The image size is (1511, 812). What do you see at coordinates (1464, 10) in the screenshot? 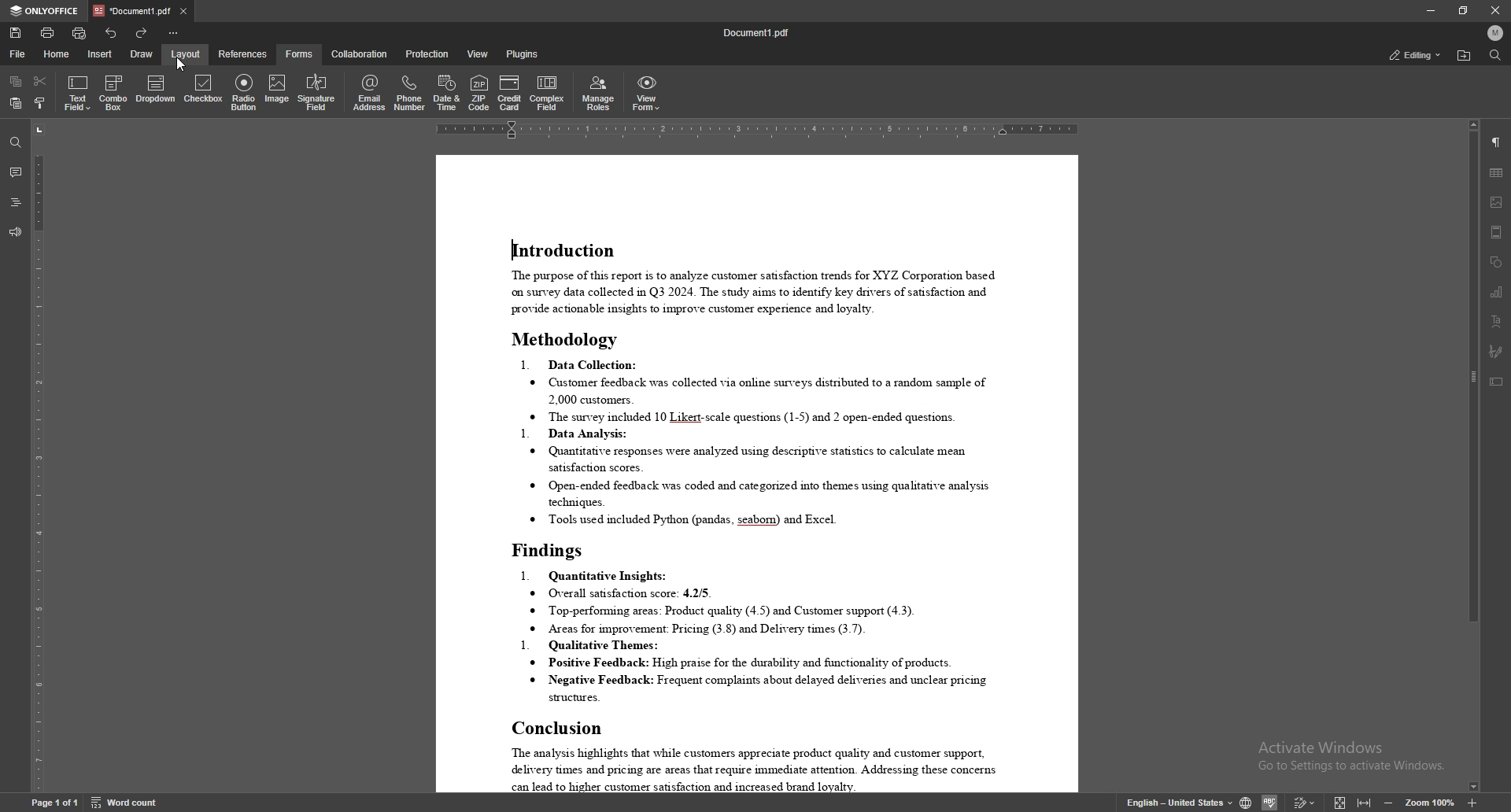
I see `resize` at bounding box center [1464, 10].